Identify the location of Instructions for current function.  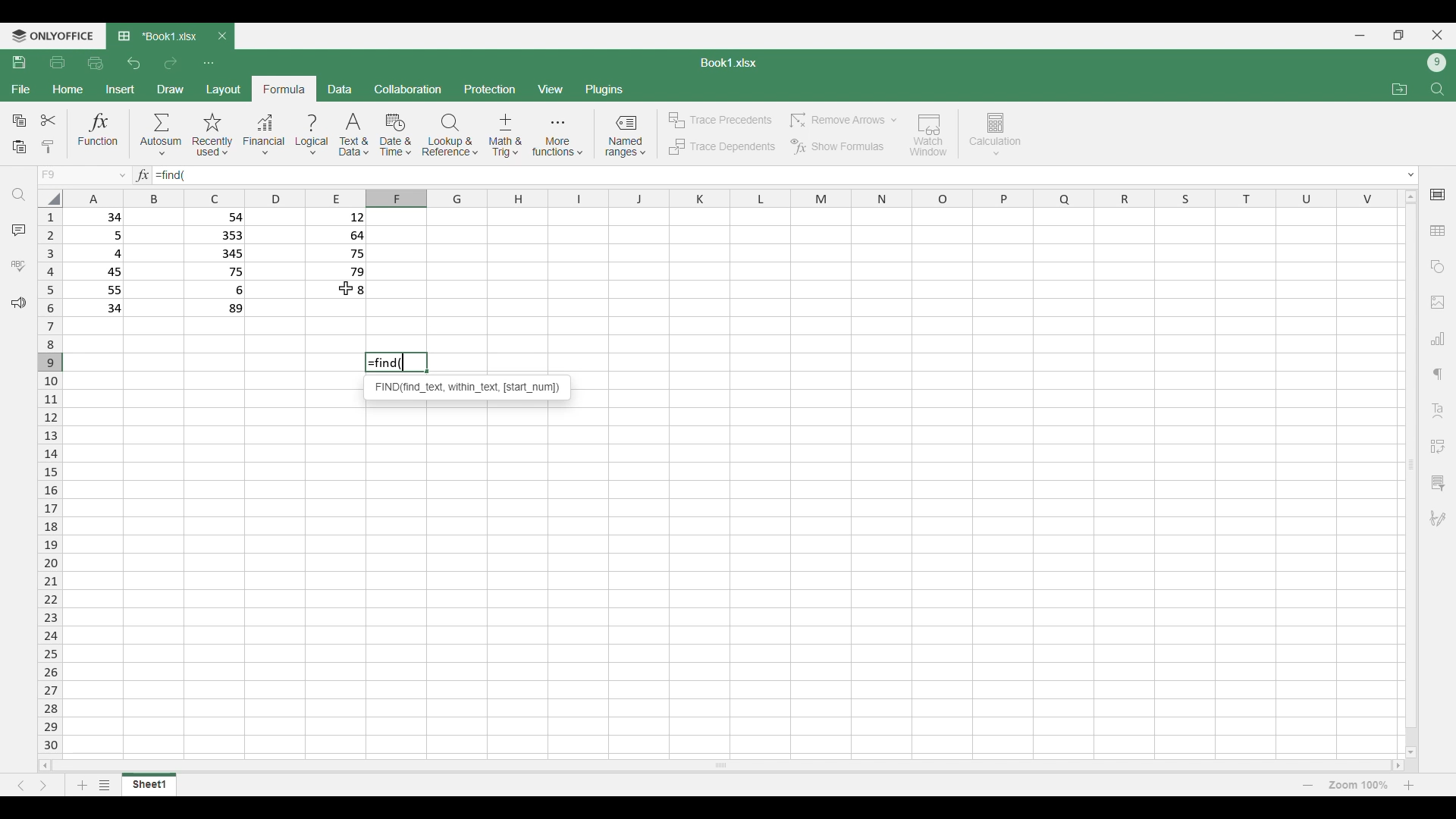
(468, 387).